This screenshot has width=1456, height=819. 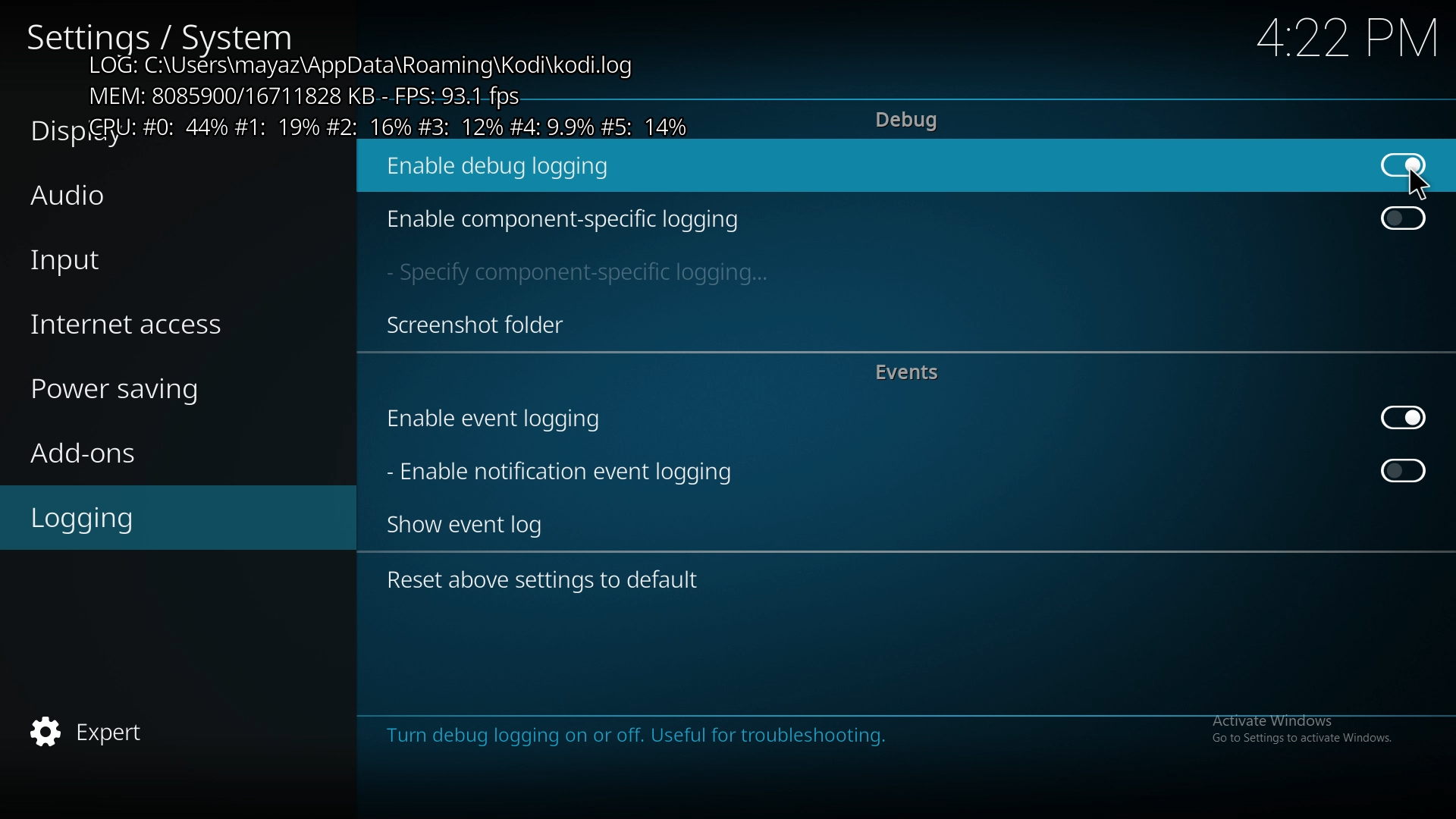 What do you see at coordinates (362, 78) in the screenshot?
I see `debug logging` at bounding box center [362, 78].